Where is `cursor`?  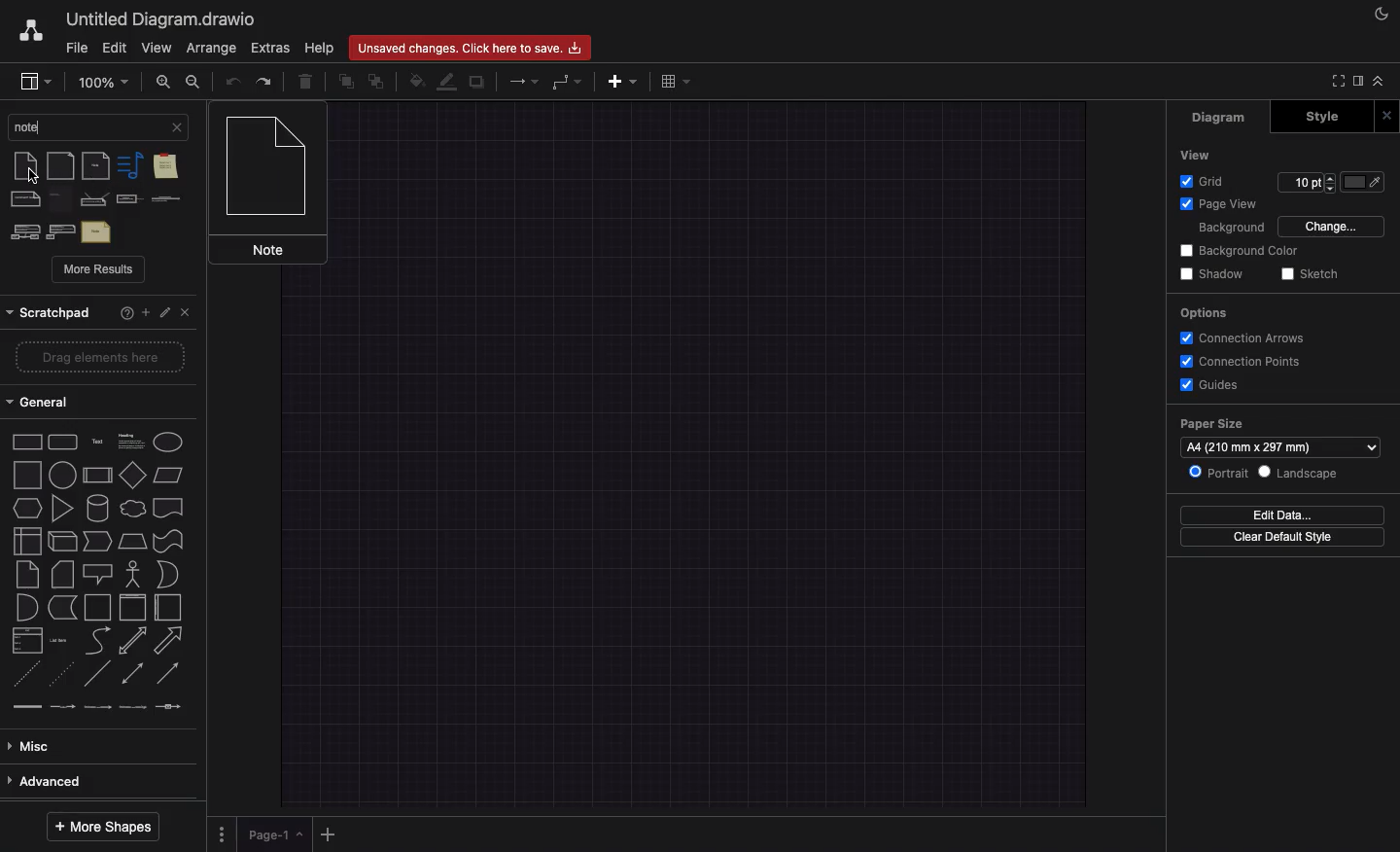 cursor is located at coordinates (34, 178).